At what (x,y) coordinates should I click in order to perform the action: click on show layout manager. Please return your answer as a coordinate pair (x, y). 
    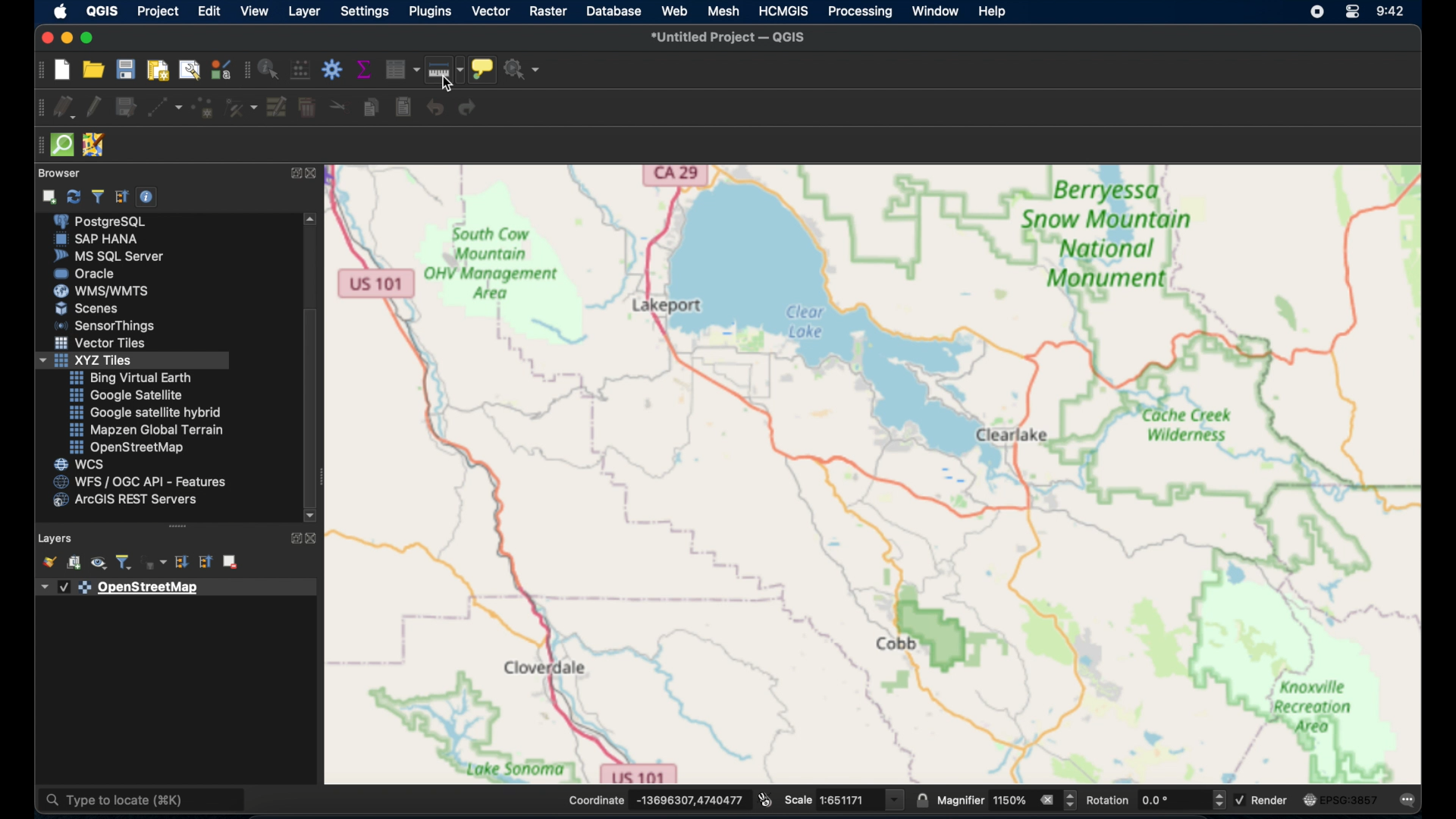
    Looking at the image, I should click on (193, 70).